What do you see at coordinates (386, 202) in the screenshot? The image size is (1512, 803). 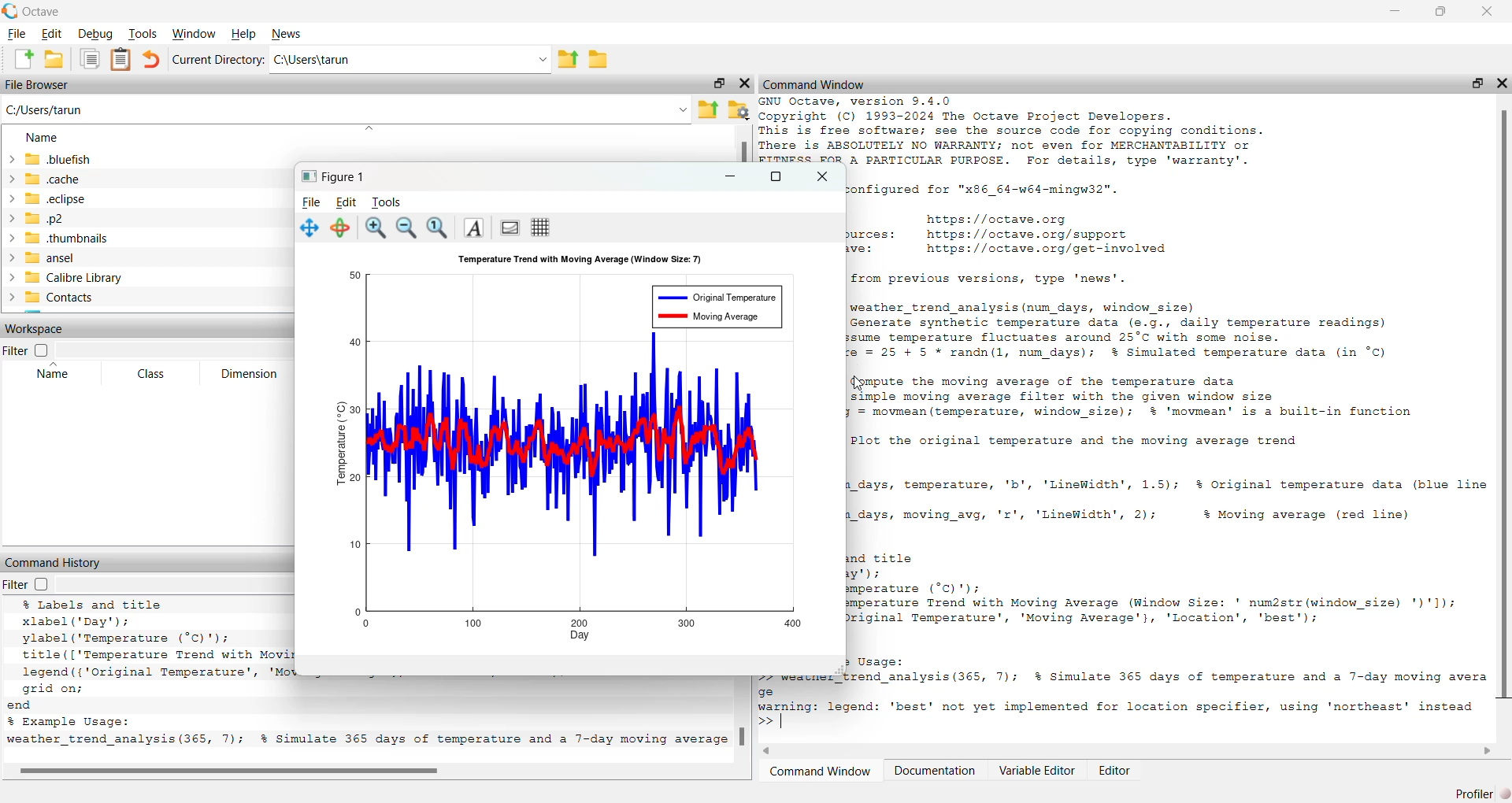 I see `Tools` at bounding box center [386, 202].